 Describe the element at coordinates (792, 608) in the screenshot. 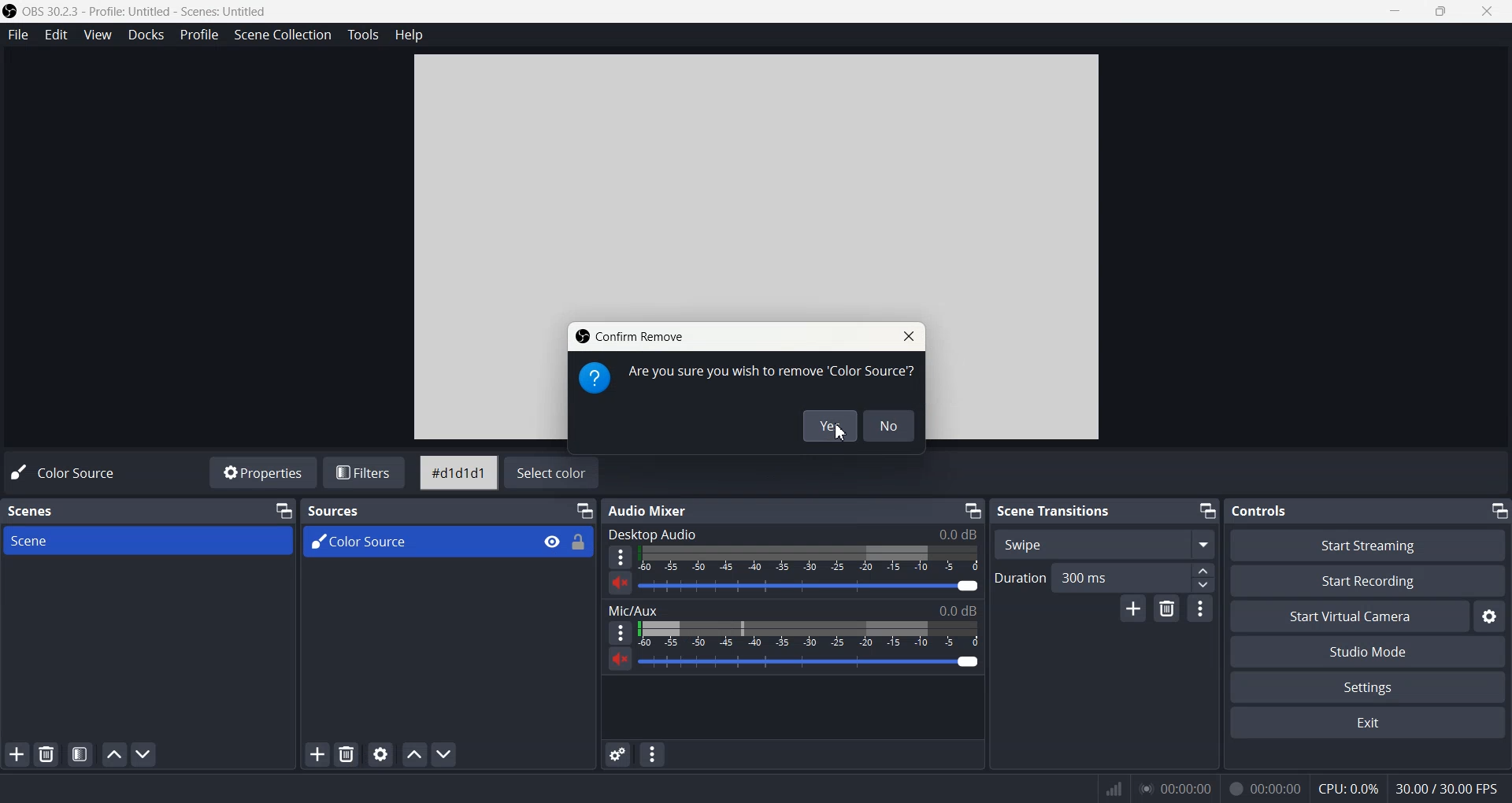

I see `Mic/Aux 0.0 dB` at that location.